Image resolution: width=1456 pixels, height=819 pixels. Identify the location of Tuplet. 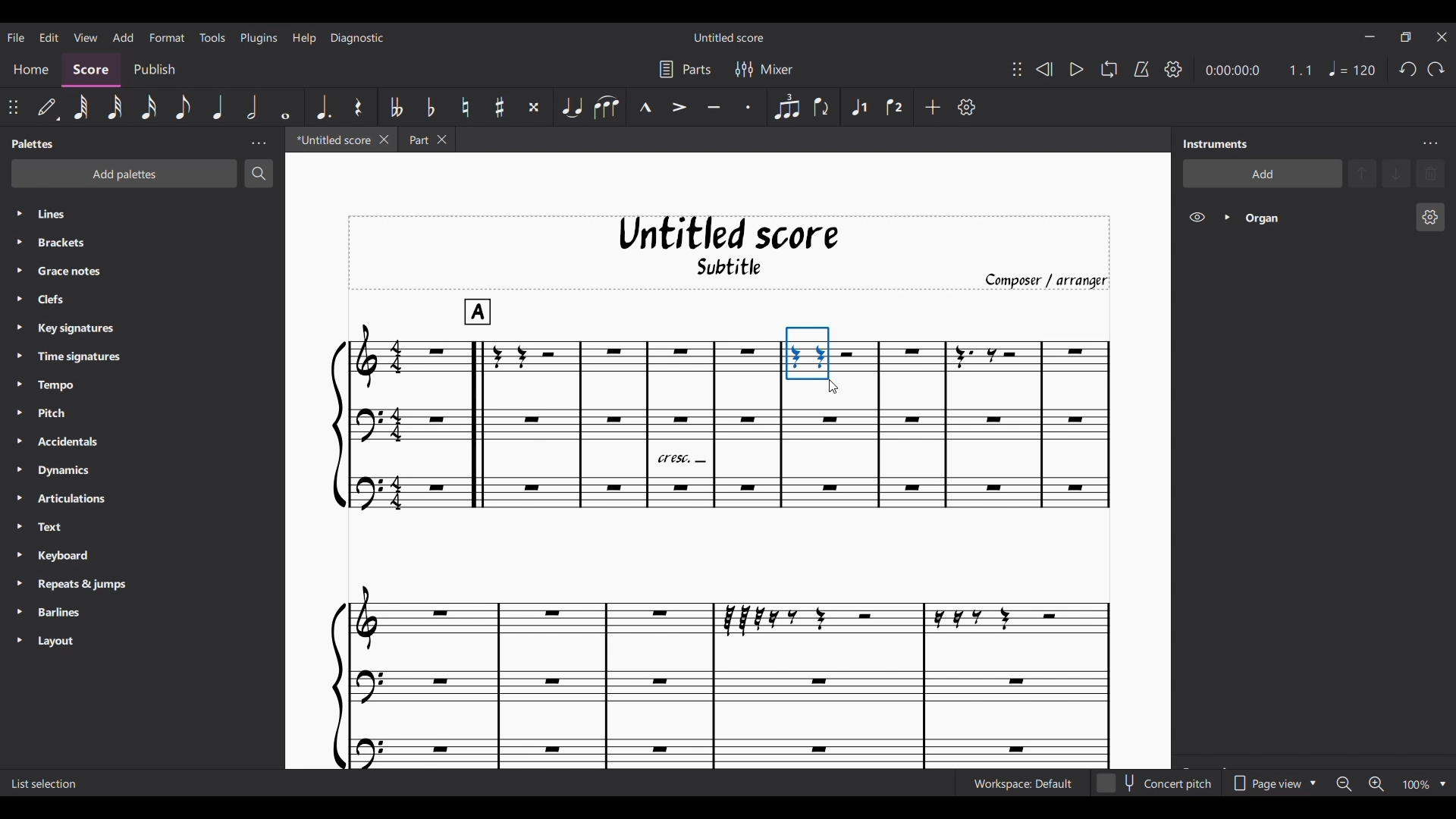
(787, 108).